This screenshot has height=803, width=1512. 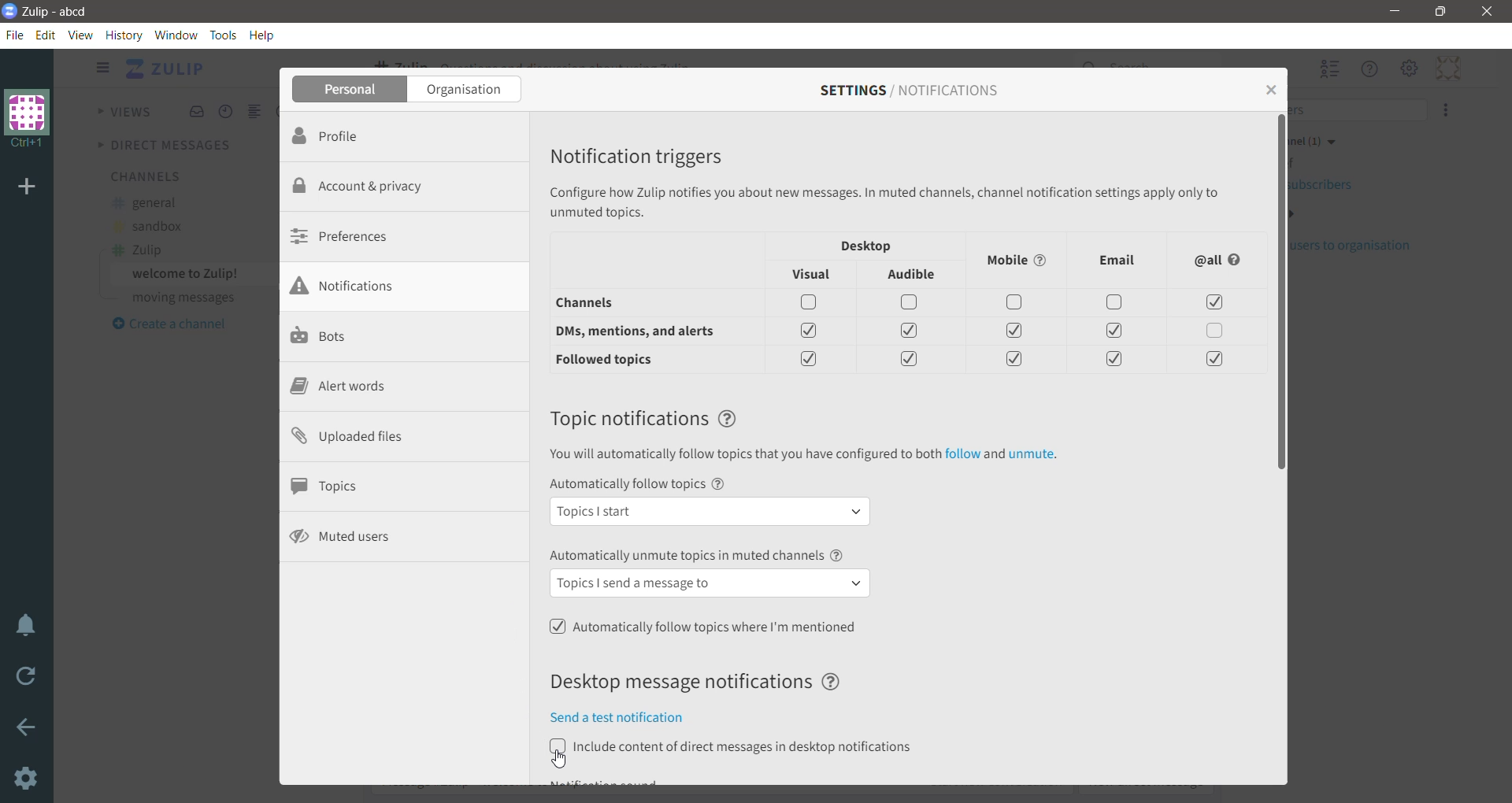 I want to click on Click to send a test notification, so click(x=631, y=717).